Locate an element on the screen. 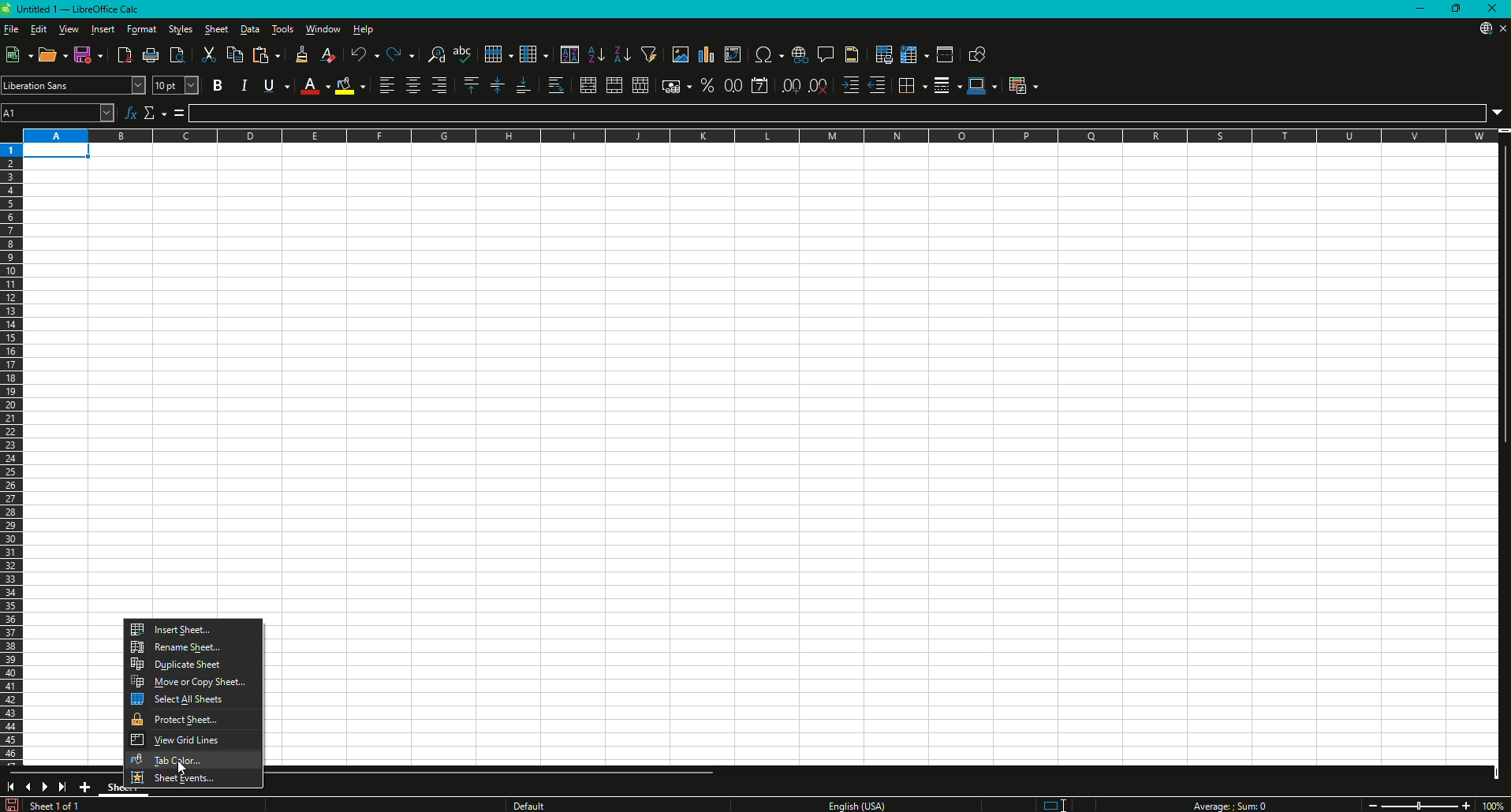  Font Color is located at coordinates (315, 86).